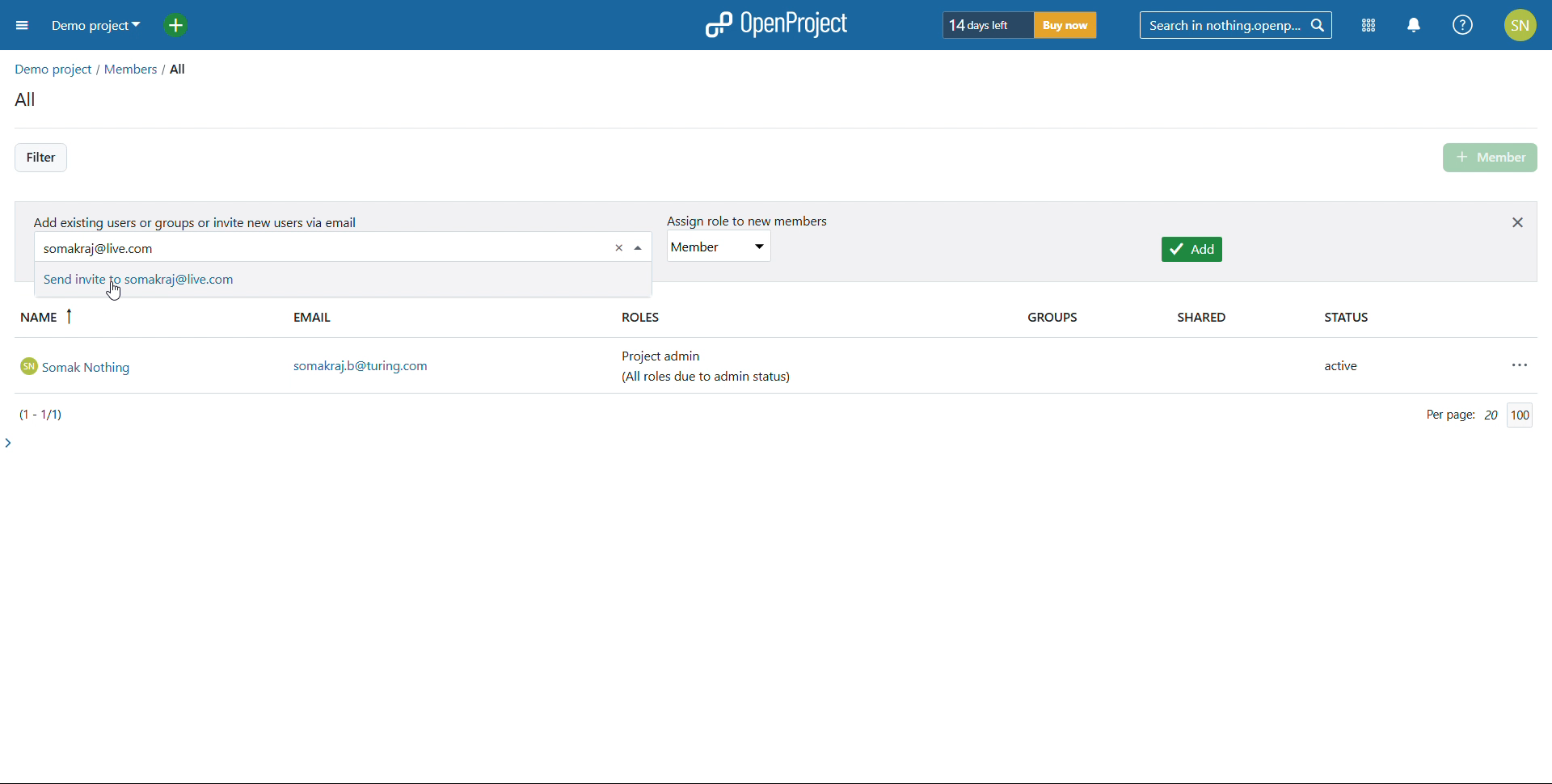  What do you see at coordinates (185, 26) in the screenshot?
I see `add project` at bounding box center [185, 26].